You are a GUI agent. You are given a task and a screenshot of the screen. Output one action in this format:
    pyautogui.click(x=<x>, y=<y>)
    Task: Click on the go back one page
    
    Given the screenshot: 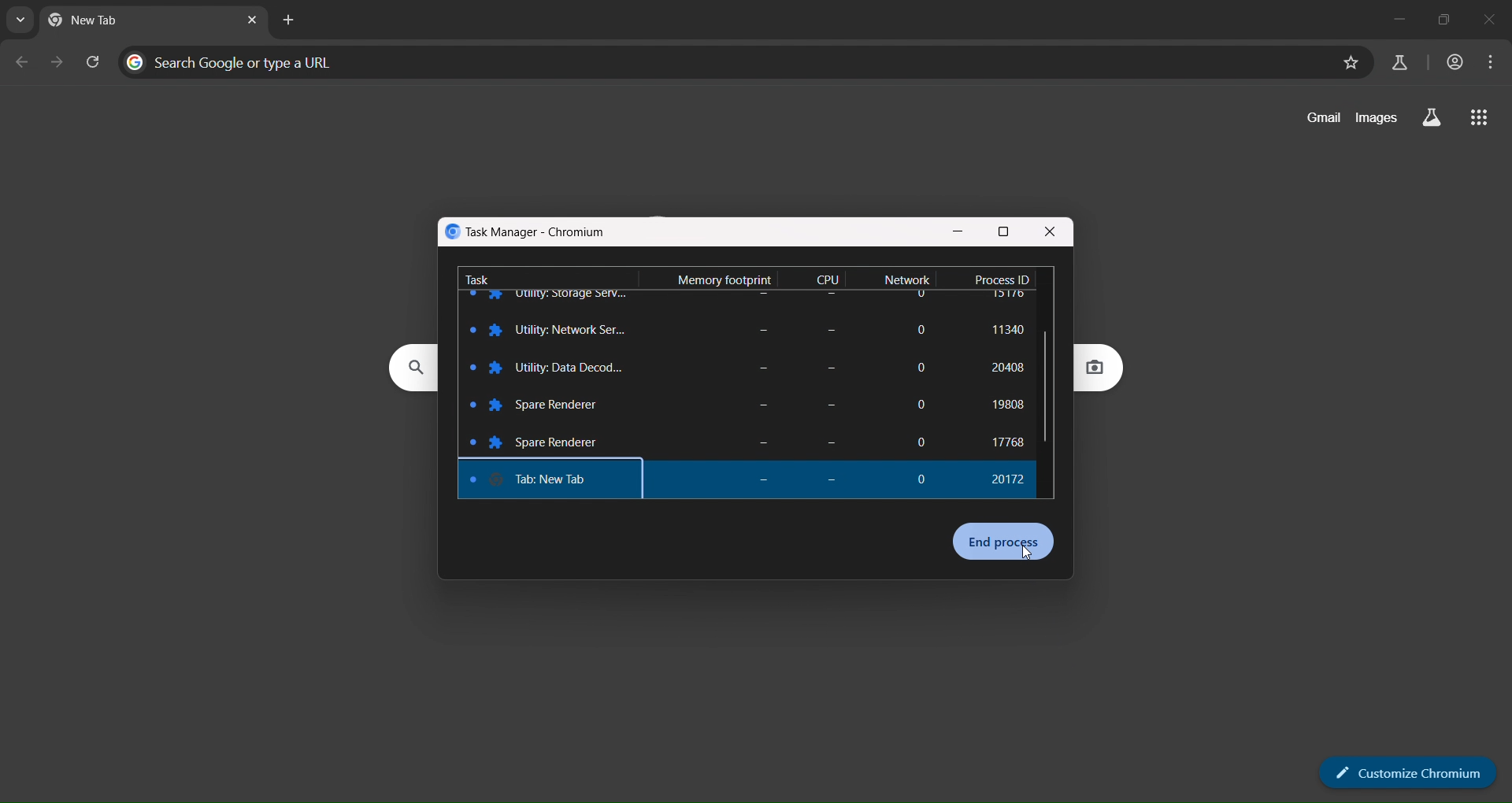 What is the action you would take?
    pyautogui.click(x=22, y=61)
    